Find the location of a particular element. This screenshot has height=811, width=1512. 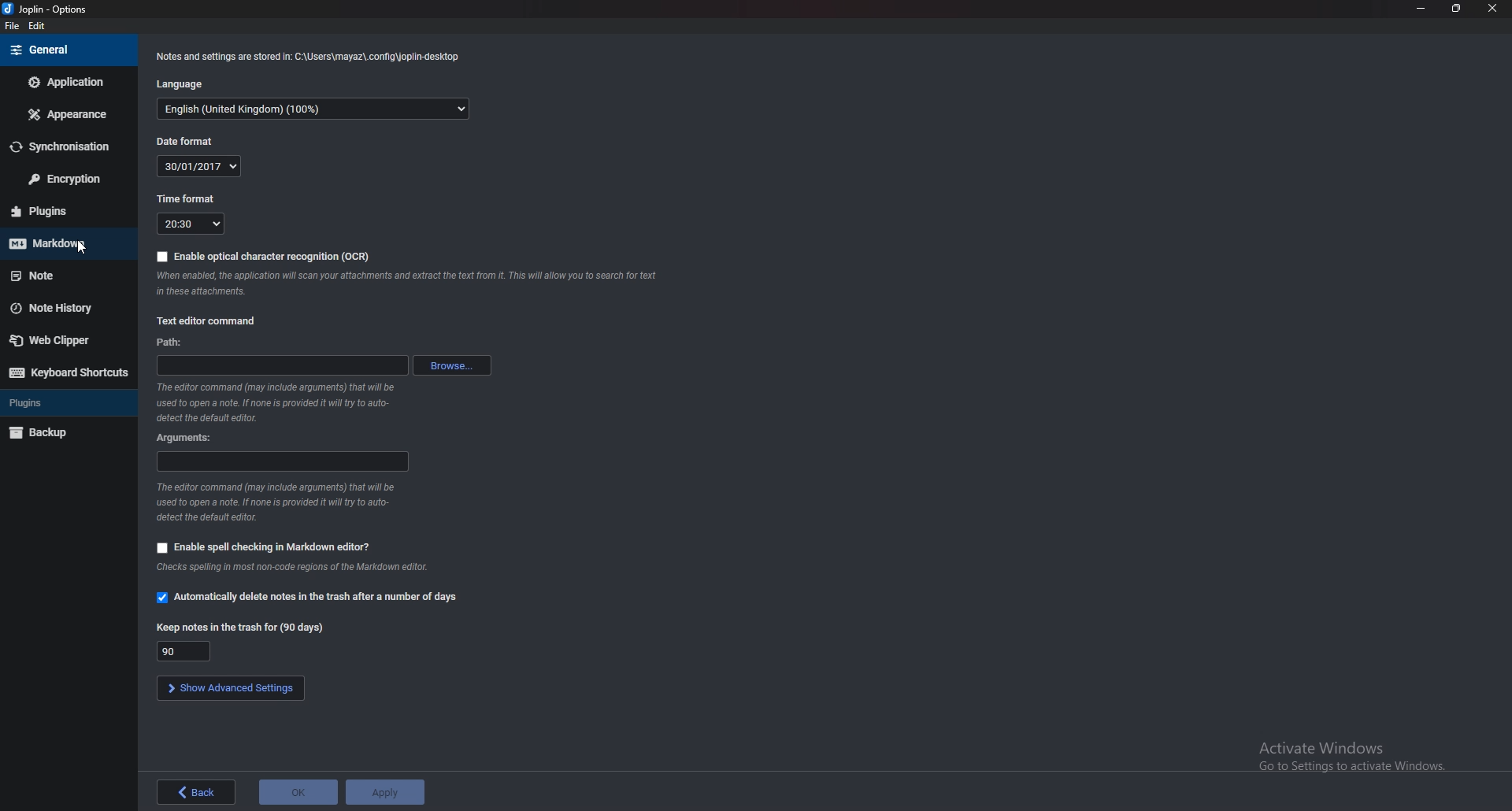

20:30 is located at coordinates (191, 224).